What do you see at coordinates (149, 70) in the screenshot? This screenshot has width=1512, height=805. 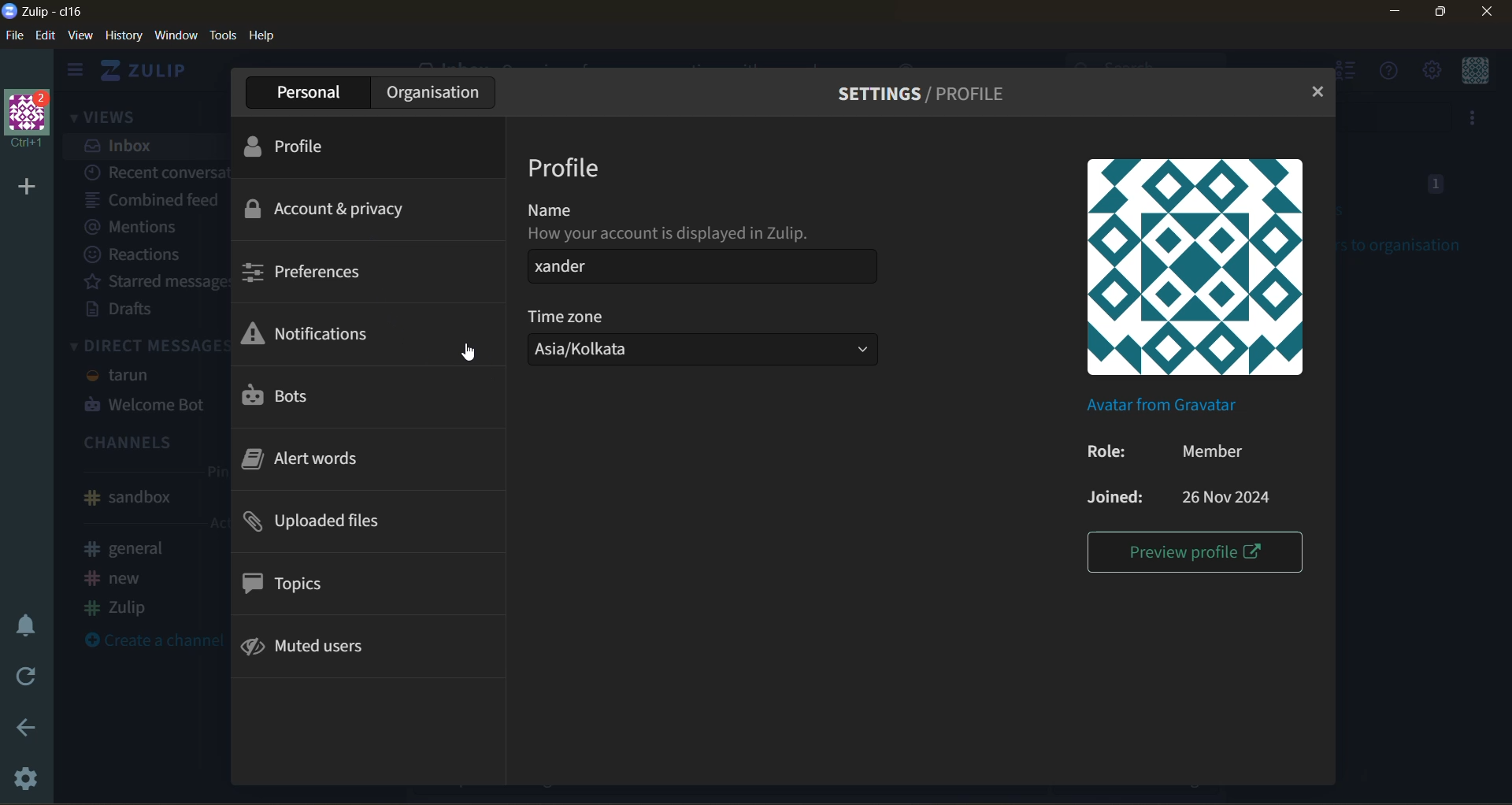 I see `home view` at bounding box center [149, 70].